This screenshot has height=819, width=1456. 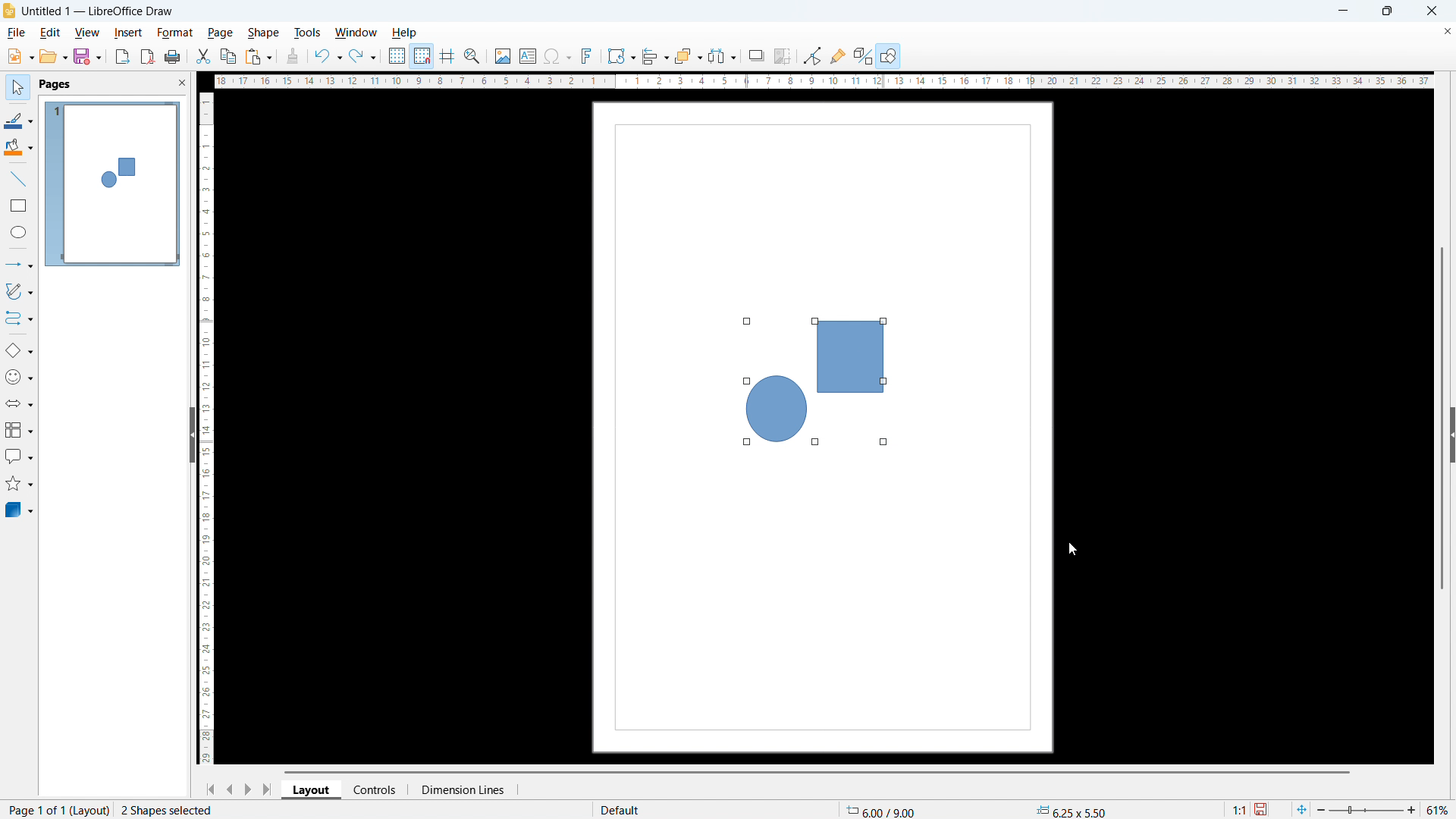 I want to click on controls, so click(x=375, y=790).